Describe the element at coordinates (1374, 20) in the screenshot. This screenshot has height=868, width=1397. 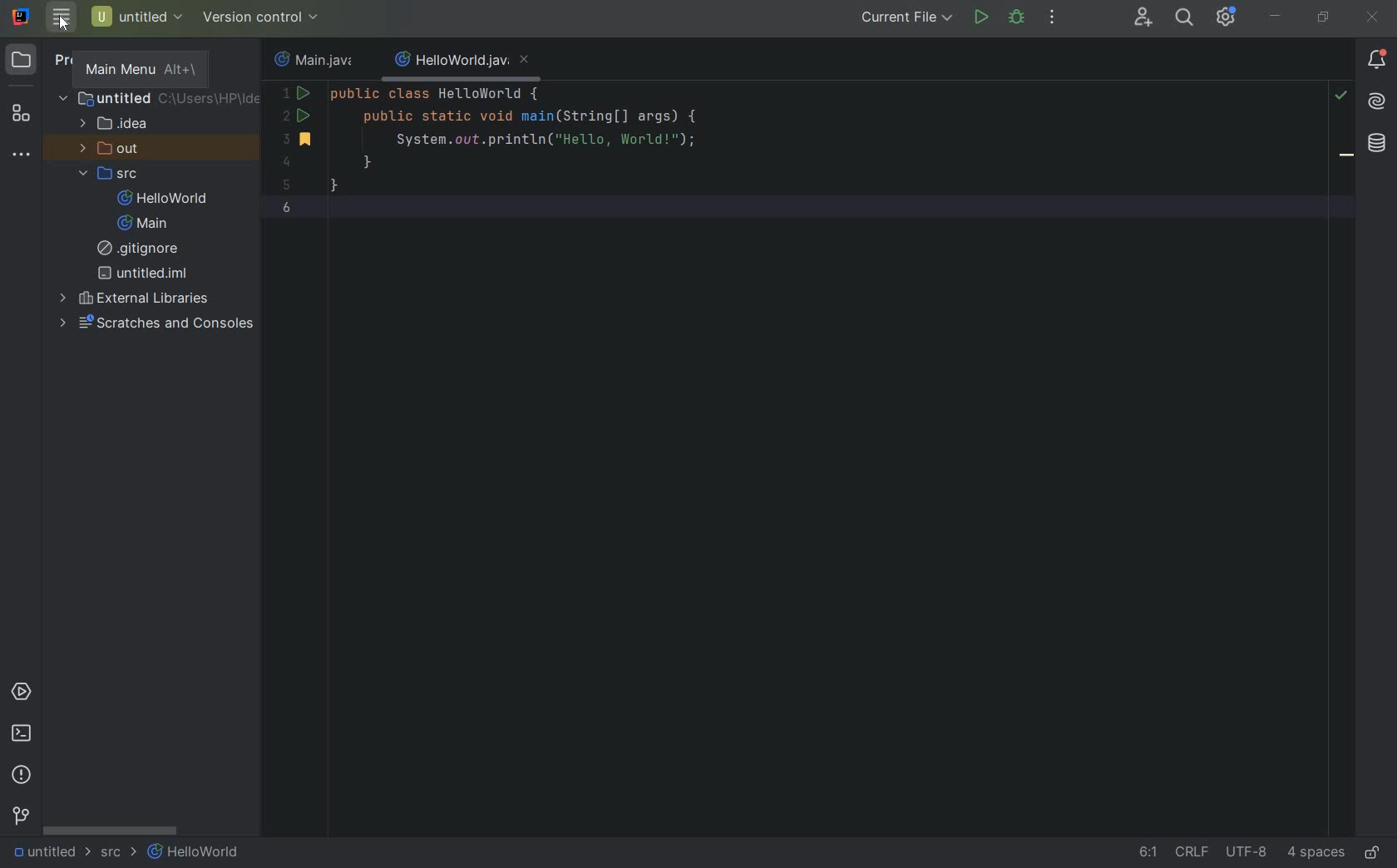
I see `close` at that location.